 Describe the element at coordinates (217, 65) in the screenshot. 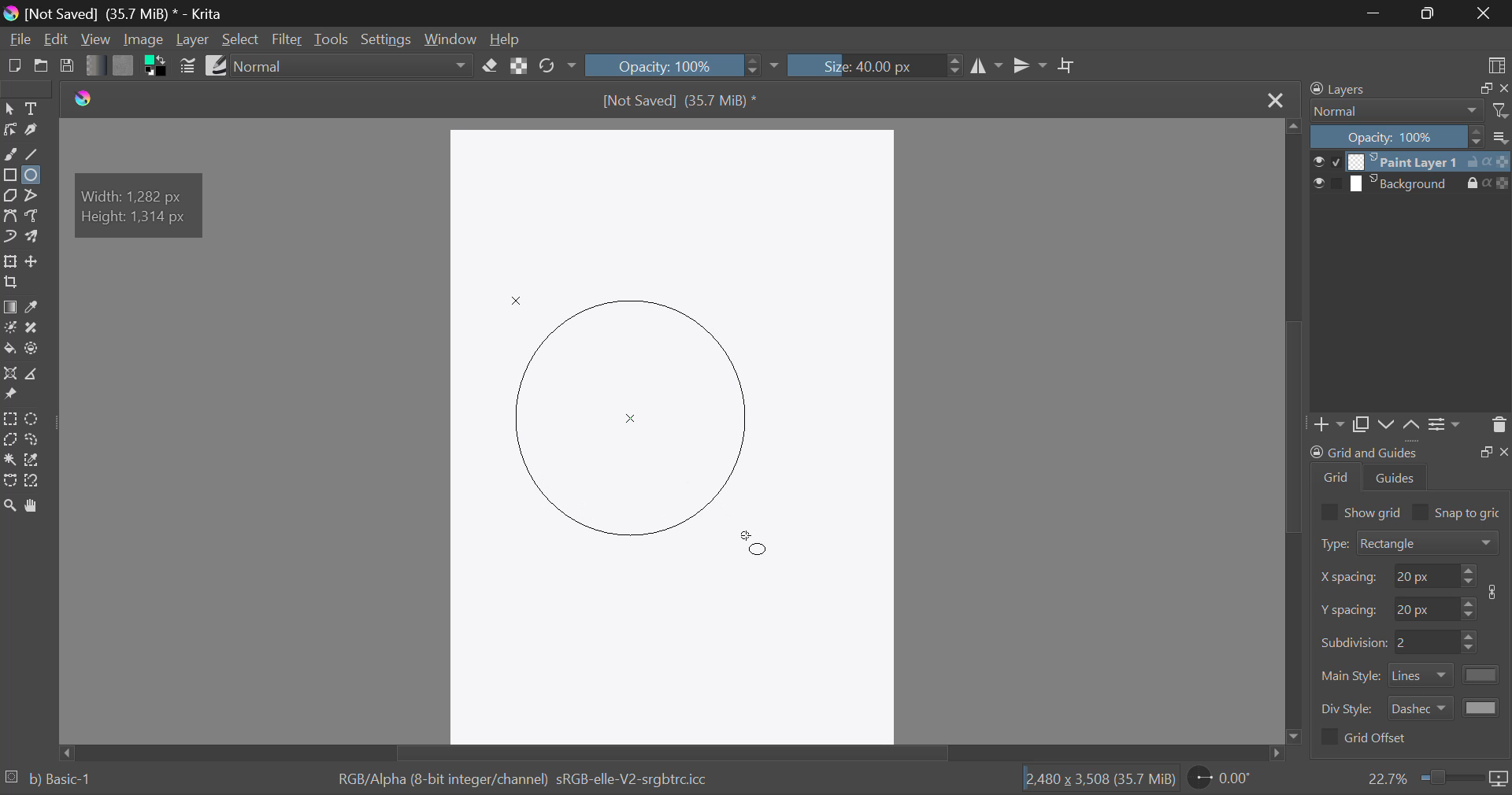

I see `Brush Presets` at that location.